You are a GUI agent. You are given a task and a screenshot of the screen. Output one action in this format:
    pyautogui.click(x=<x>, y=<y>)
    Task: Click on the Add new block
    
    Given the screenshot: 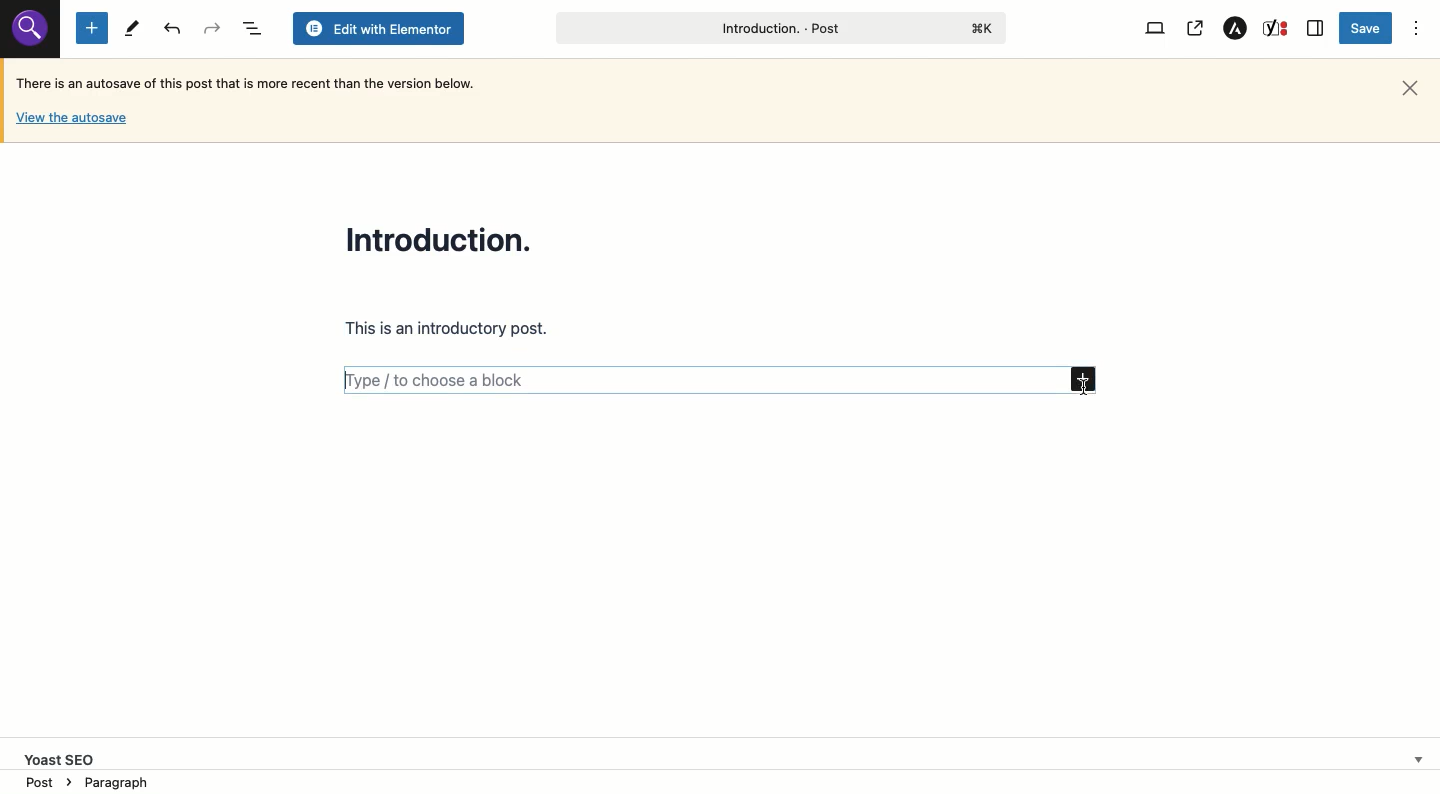 What is the action you would take?
    pyautogui.click(x=1085, y=381)
    